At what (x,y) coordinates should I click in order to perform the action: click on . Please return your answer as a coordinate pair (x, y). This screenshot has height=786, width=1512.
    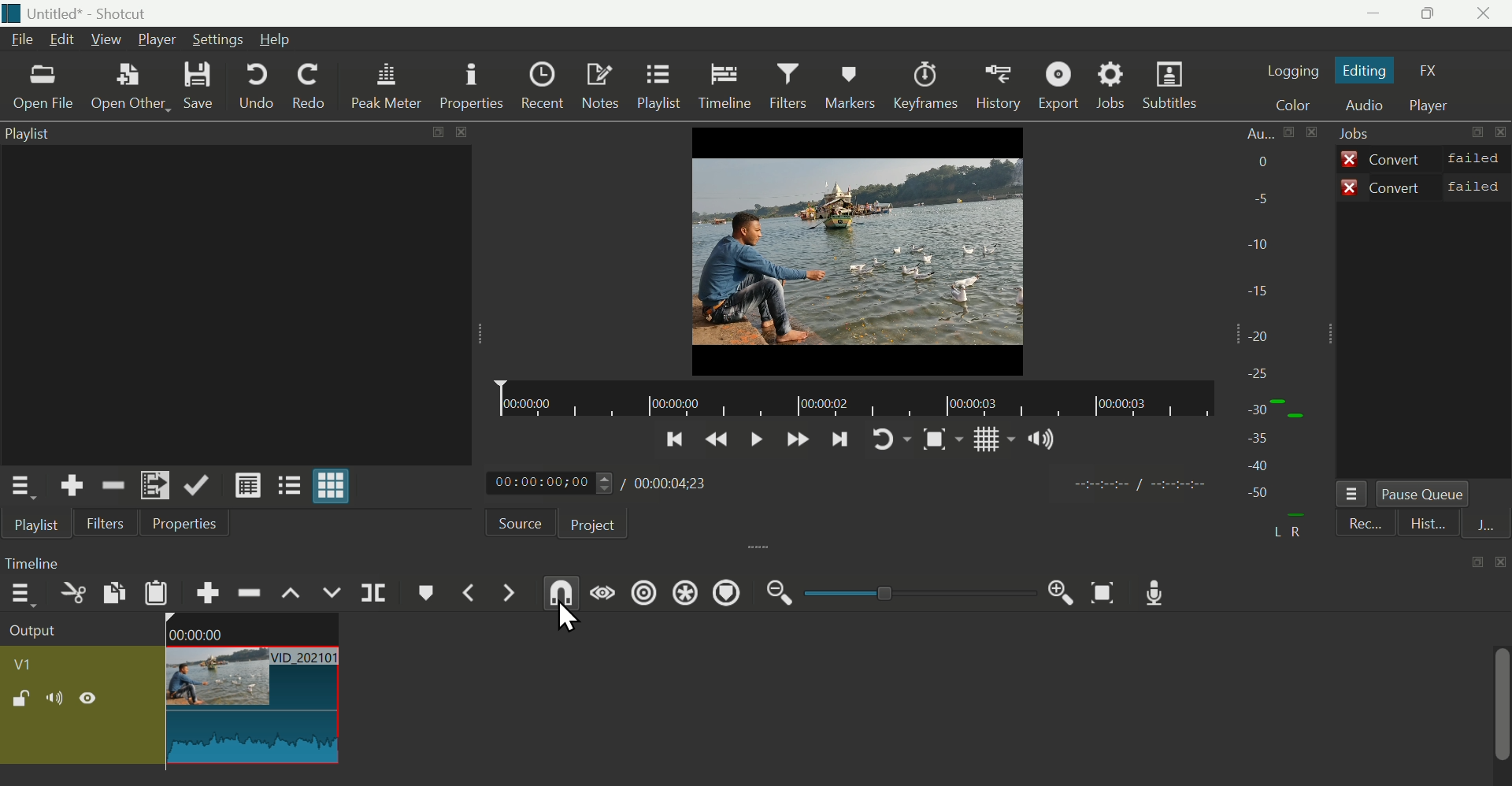
    Looking at the image, I should click on (278, 39).